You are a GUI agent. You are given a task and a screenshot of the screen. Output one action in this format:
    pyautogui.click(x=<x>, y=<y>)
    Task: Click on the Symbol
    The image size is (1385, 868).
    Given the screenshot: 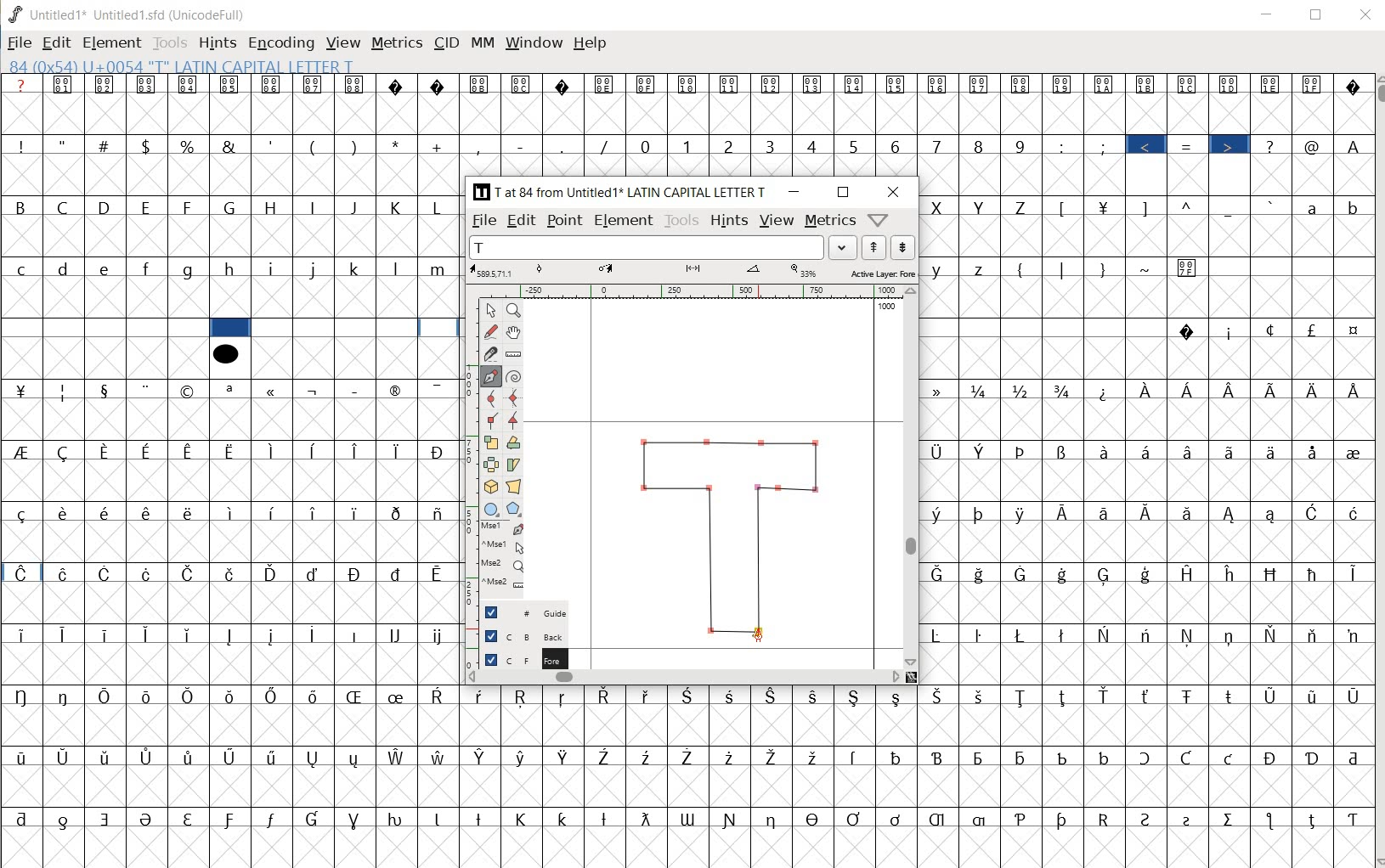 What is the action you would take?
    pyautogui.click(x=607, y=697)
    